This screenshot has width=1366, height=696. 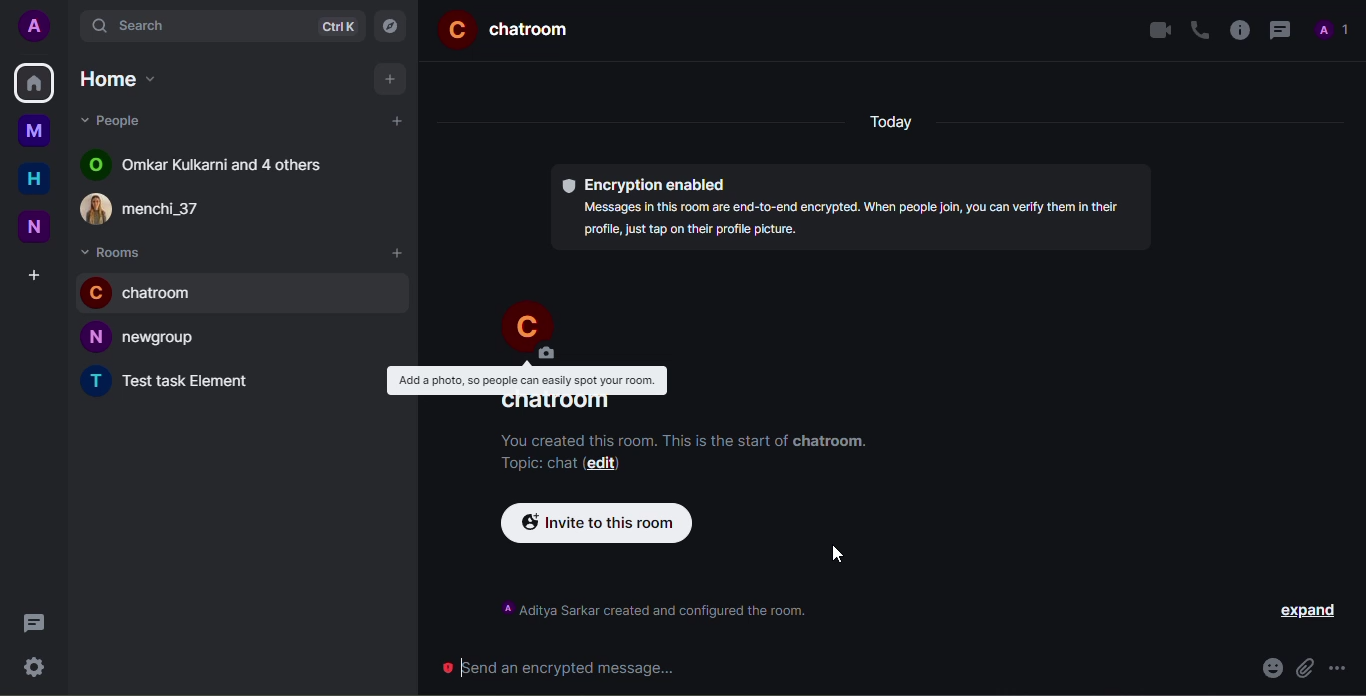 I want to click on T Test task Element, so click(x=196, y=382).